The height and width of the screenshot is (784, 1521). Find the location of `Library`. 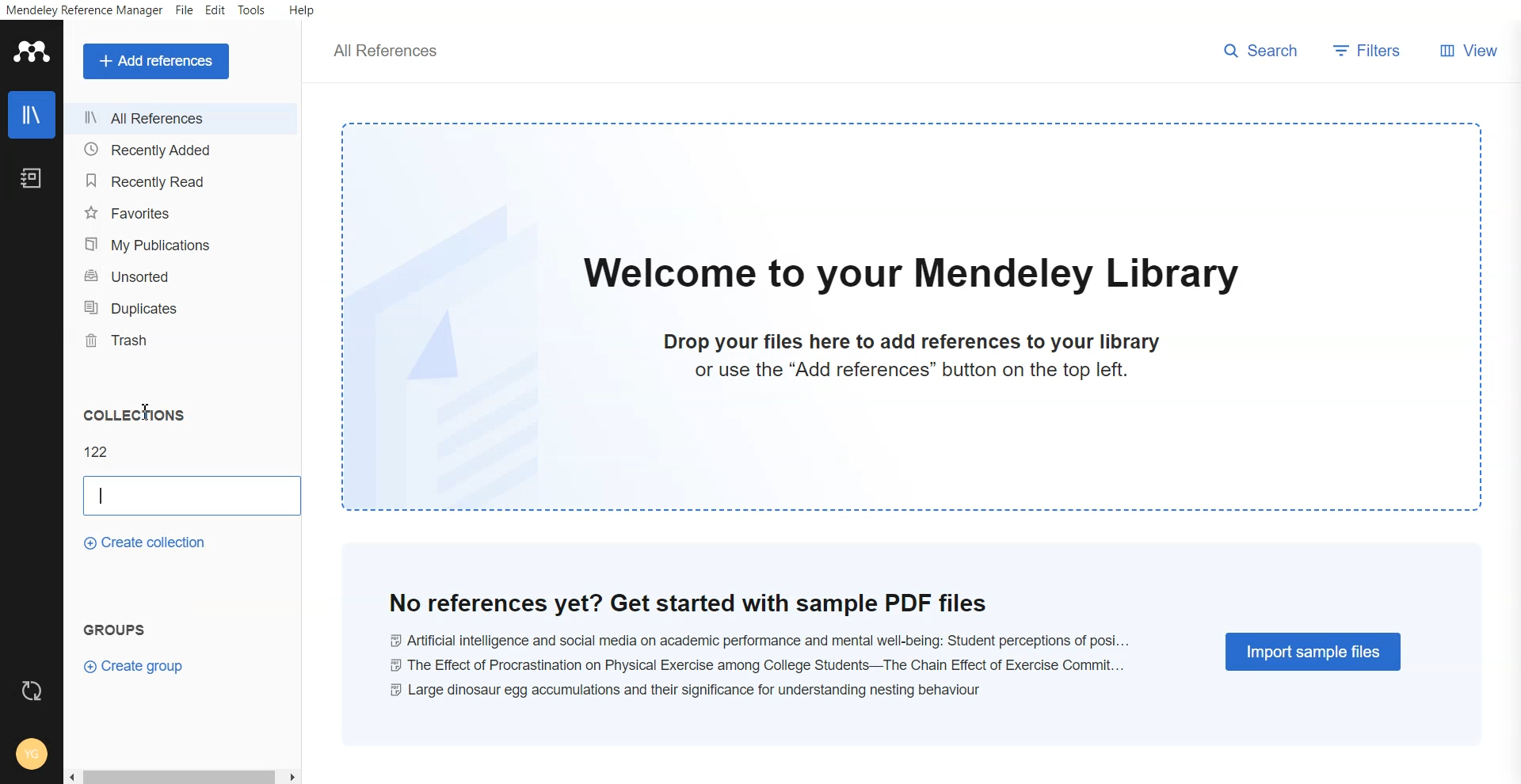

Library is located at coordinates (32, 115).